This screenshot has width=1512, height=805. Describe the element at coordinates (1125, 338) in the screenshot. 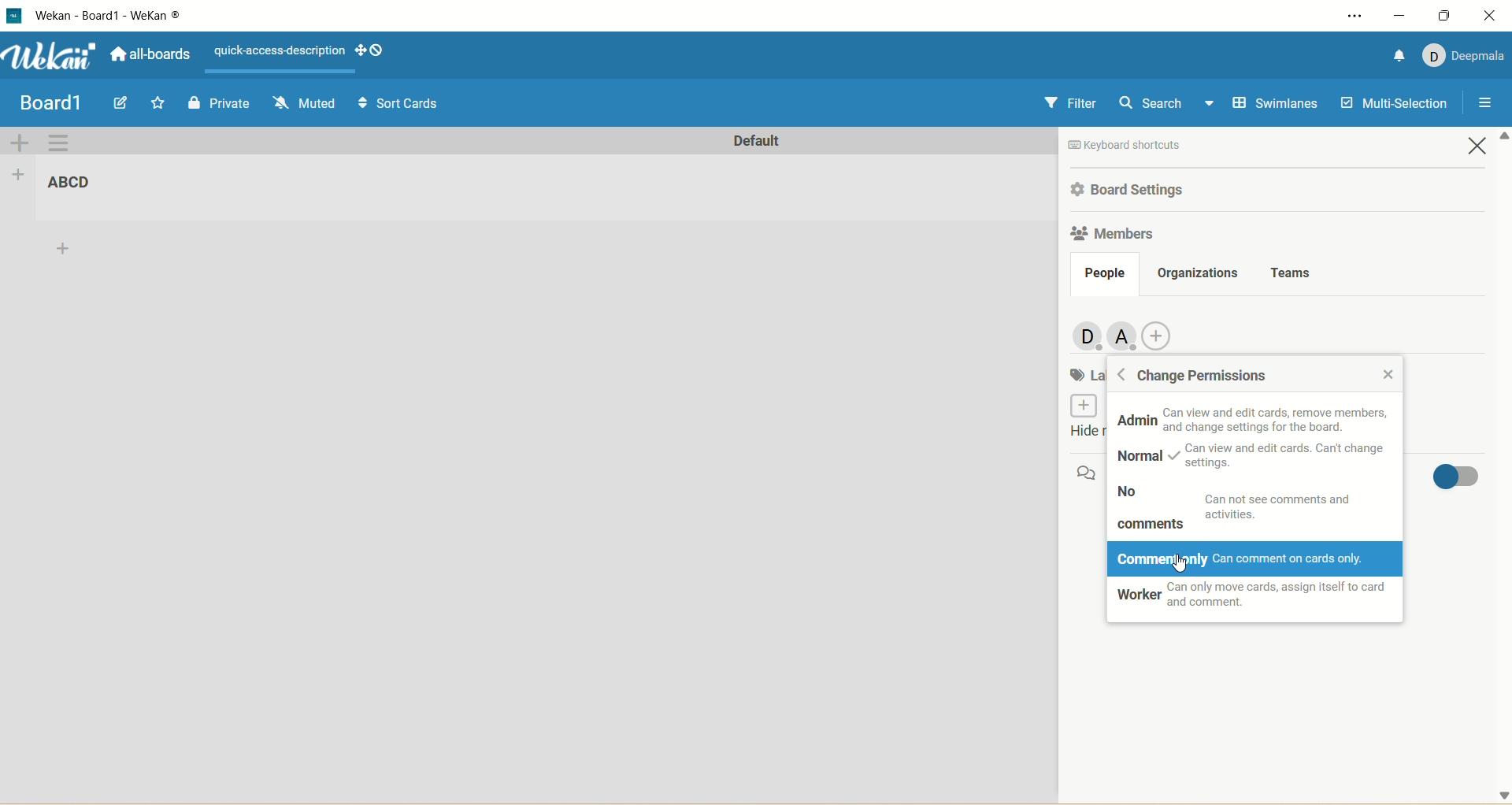

I see `member` at that location.